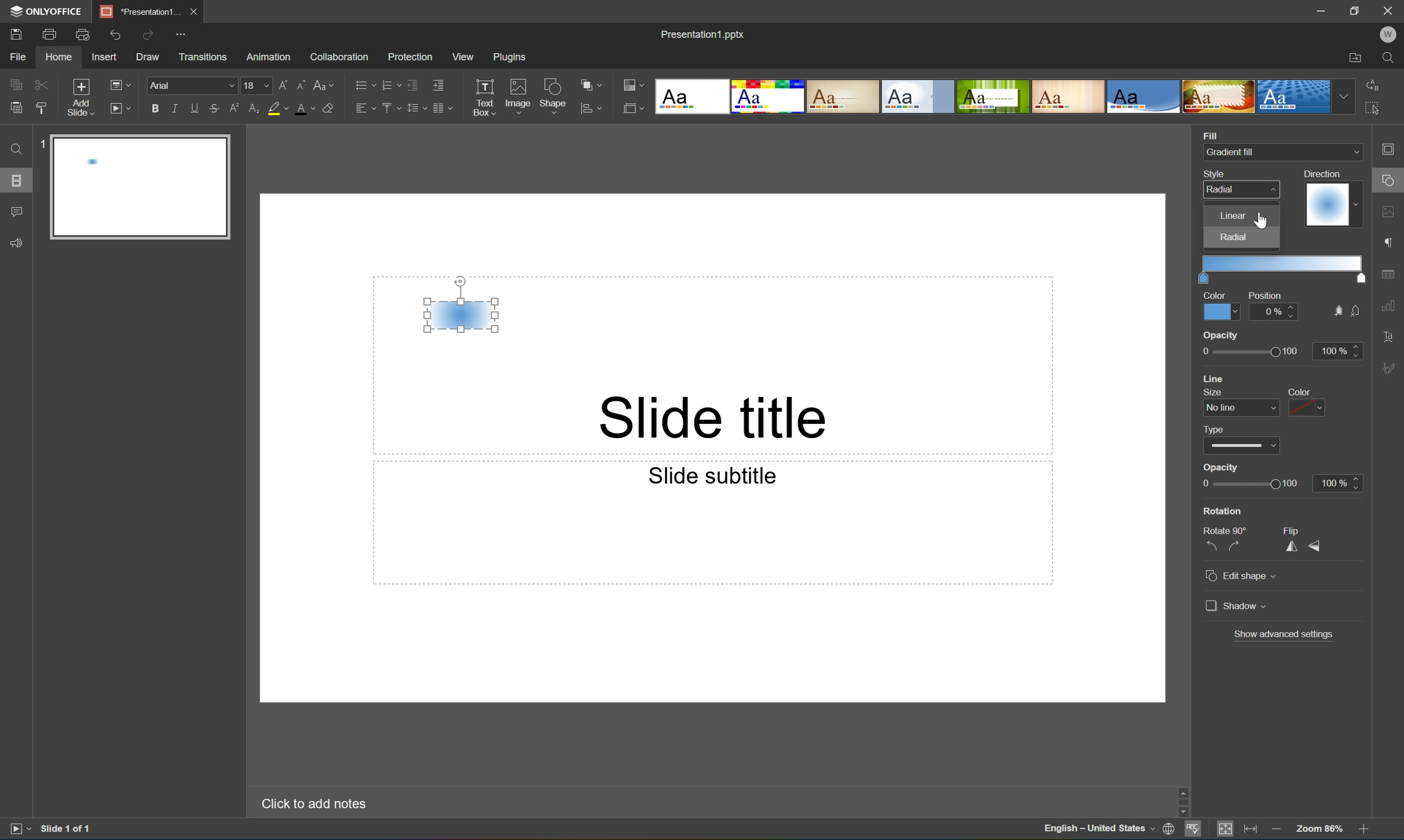 This screenshot has width=1404, height=840. I want to click on Slider, so click(1248, 485).